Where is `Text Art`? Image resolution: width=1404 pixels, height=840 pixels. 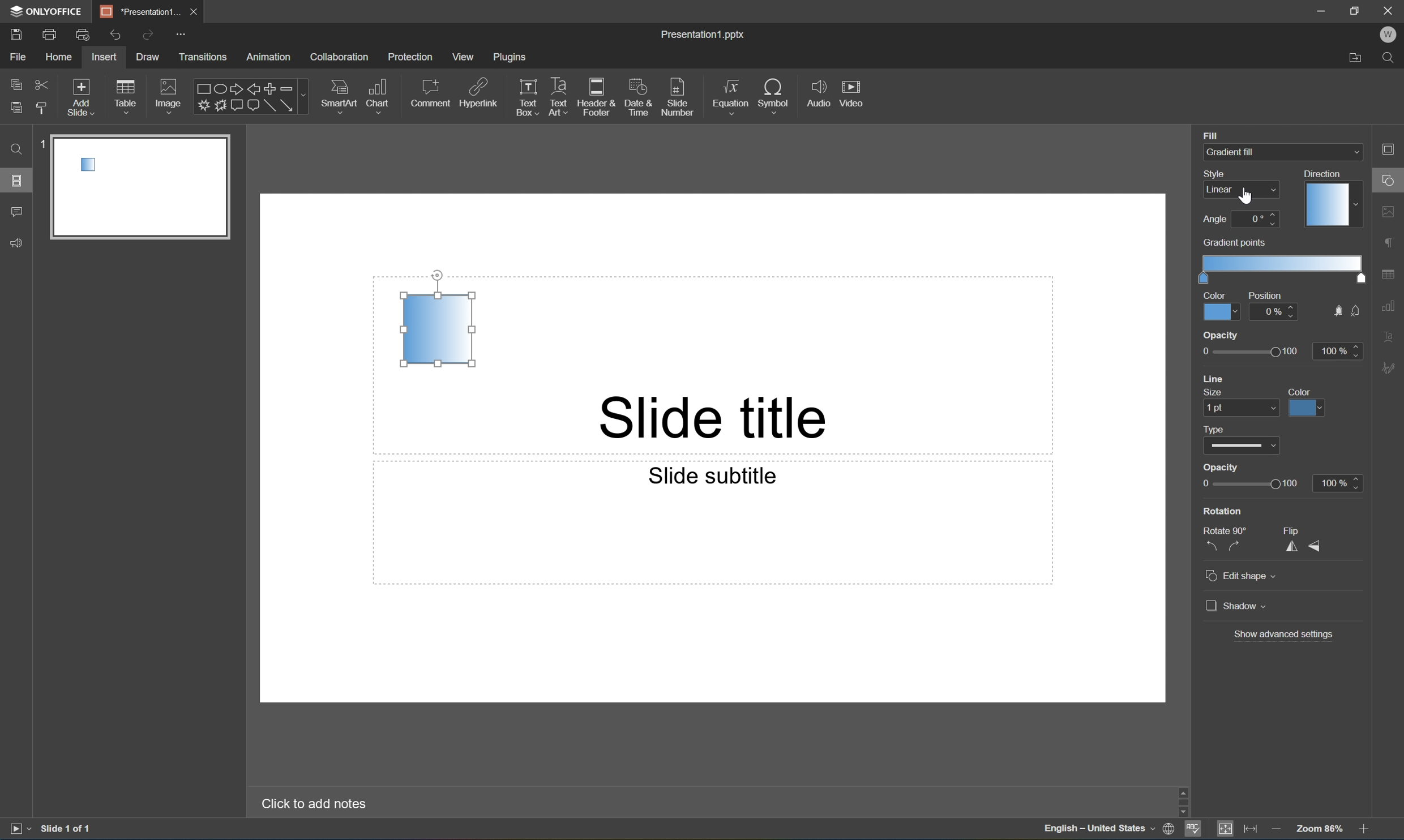
Text Art is located at coordinates (559, 98).